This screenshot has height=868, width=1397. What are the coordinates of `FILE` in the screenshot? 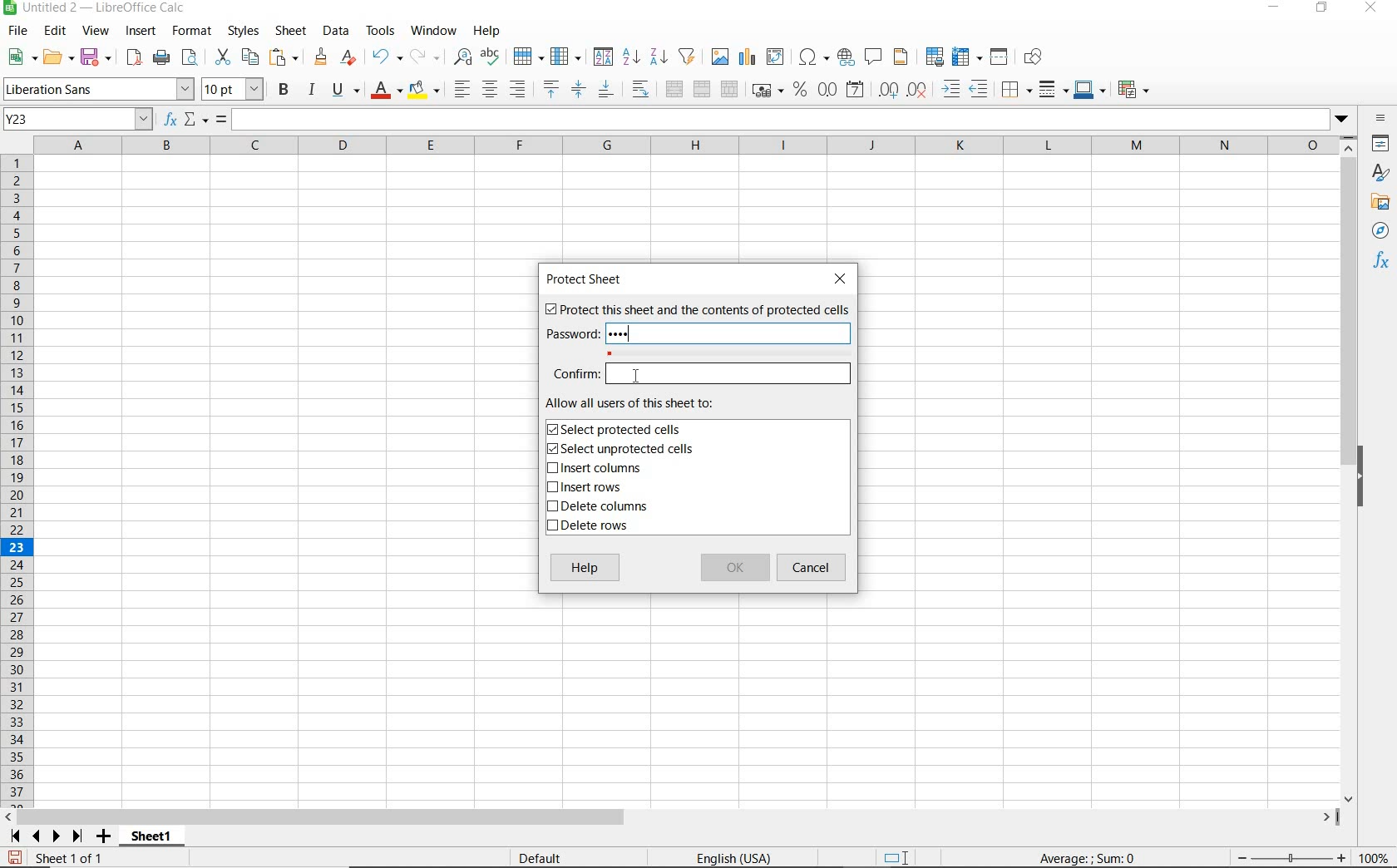 It's located at (16, 31).